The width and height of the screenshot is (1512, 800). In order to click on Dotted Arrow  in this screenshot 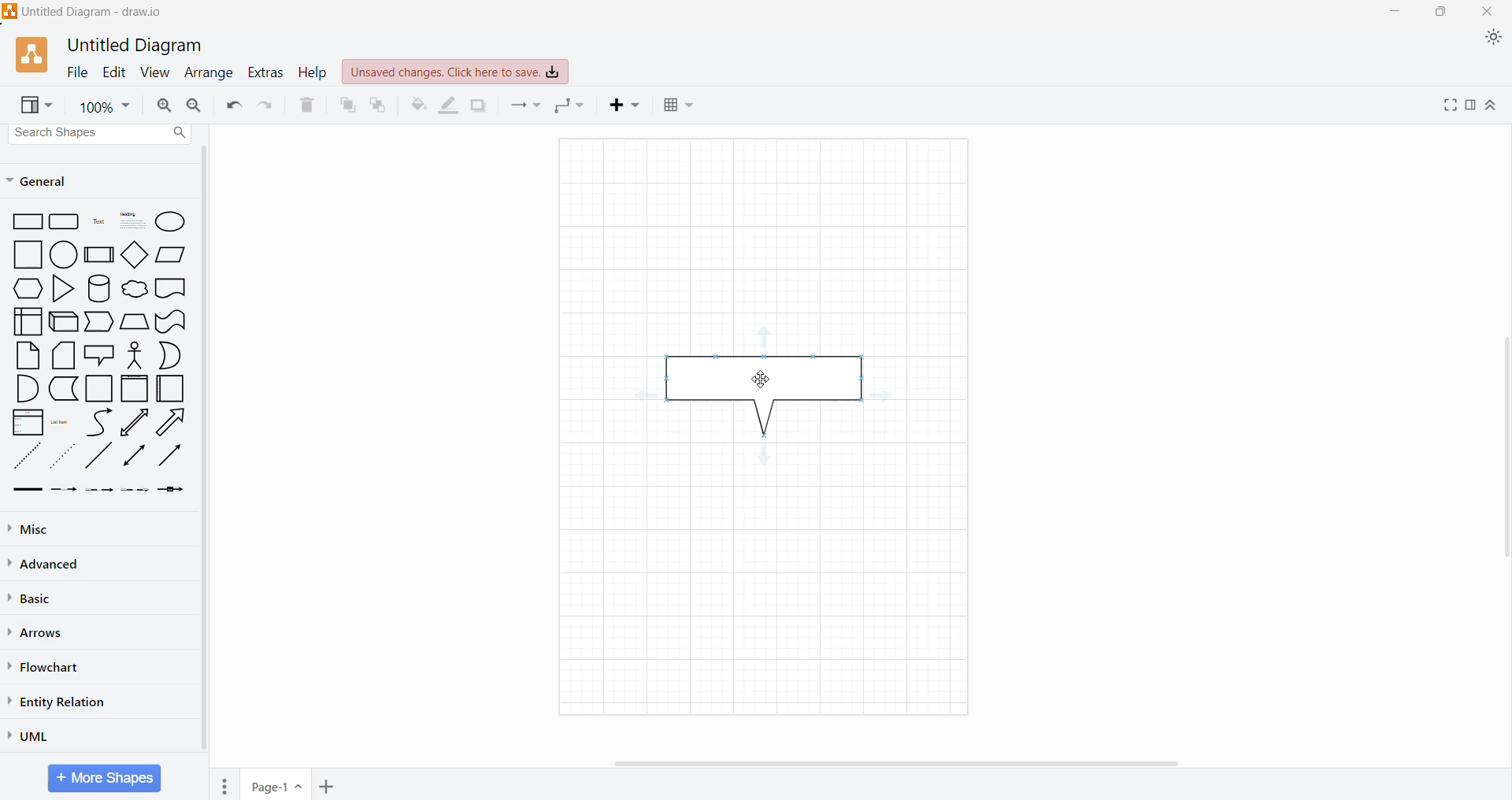, I will do `click(65, 456)`.